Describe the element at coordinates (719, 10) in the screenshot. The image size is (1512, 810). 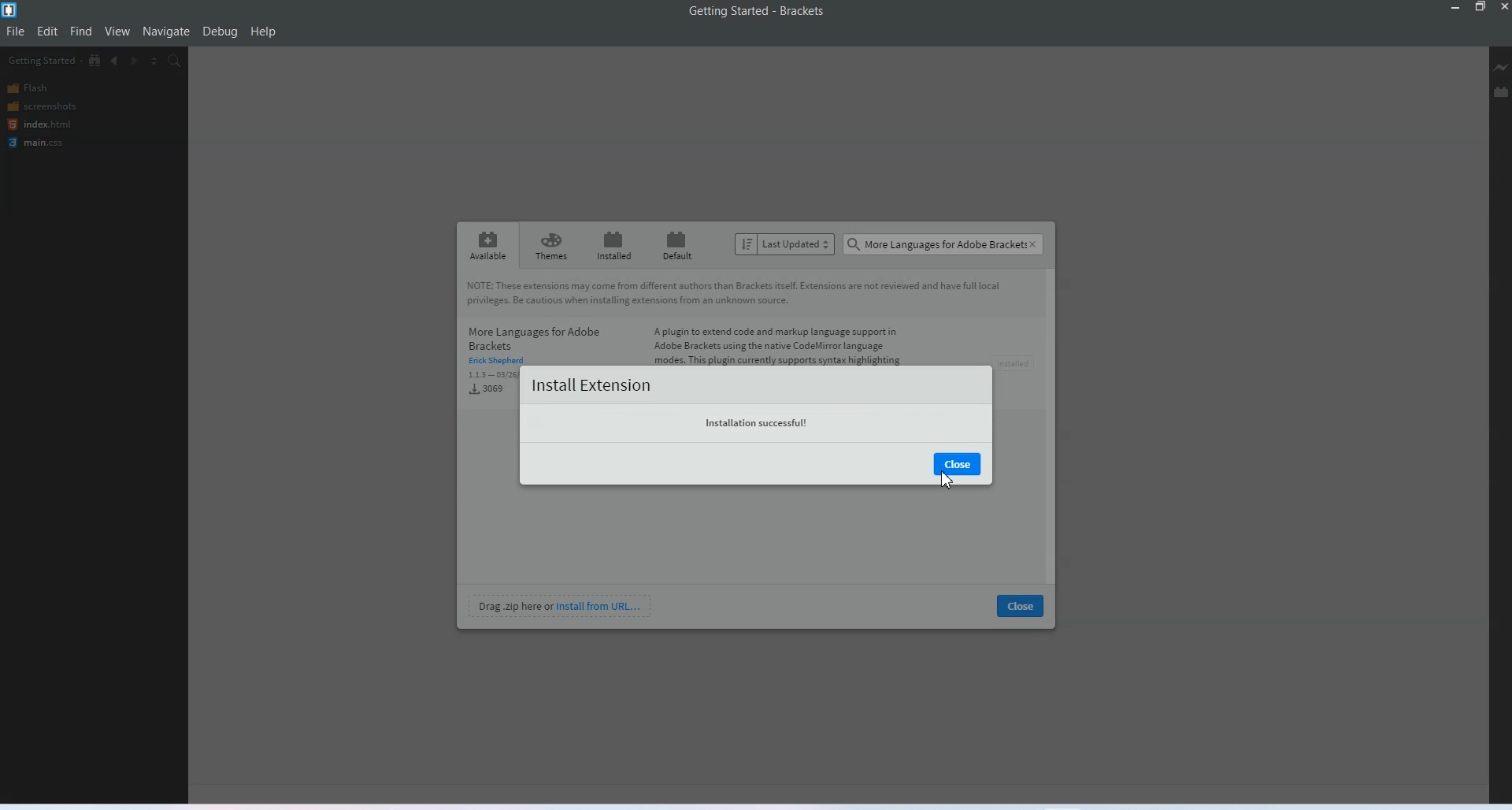
I see `Getting started` at that location.